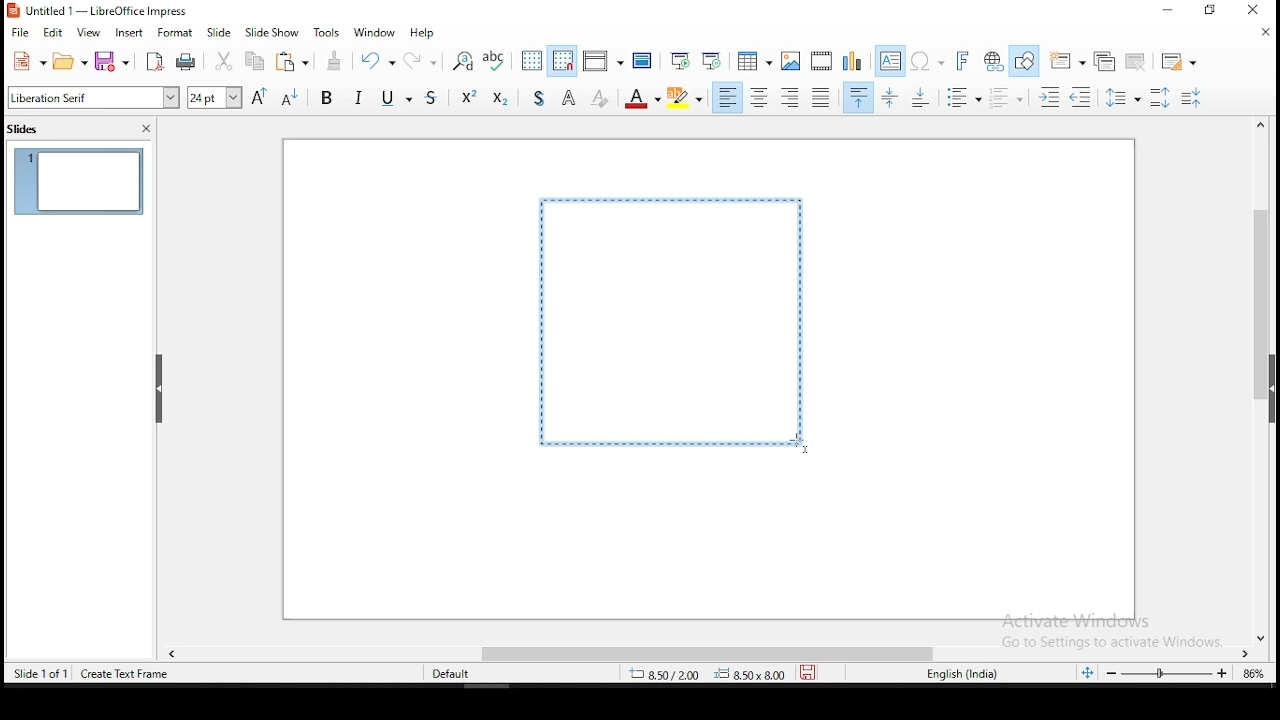 This screenshot has width=1280, height=720. What do you see at coordinates (20, 31) in the screenshot?
I see `file` at bounding box center [20, 31].